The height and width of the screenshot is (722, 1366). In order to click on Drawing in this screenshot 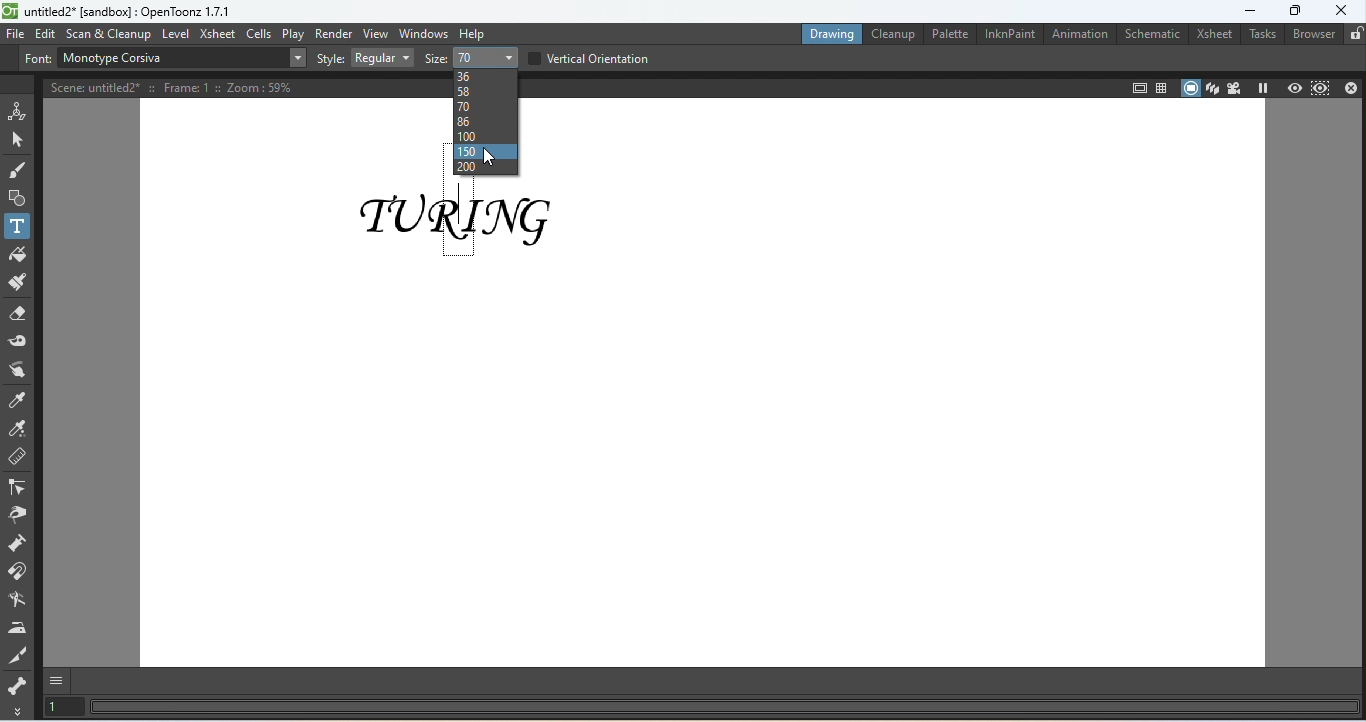, I will do `click(828, 34)`.